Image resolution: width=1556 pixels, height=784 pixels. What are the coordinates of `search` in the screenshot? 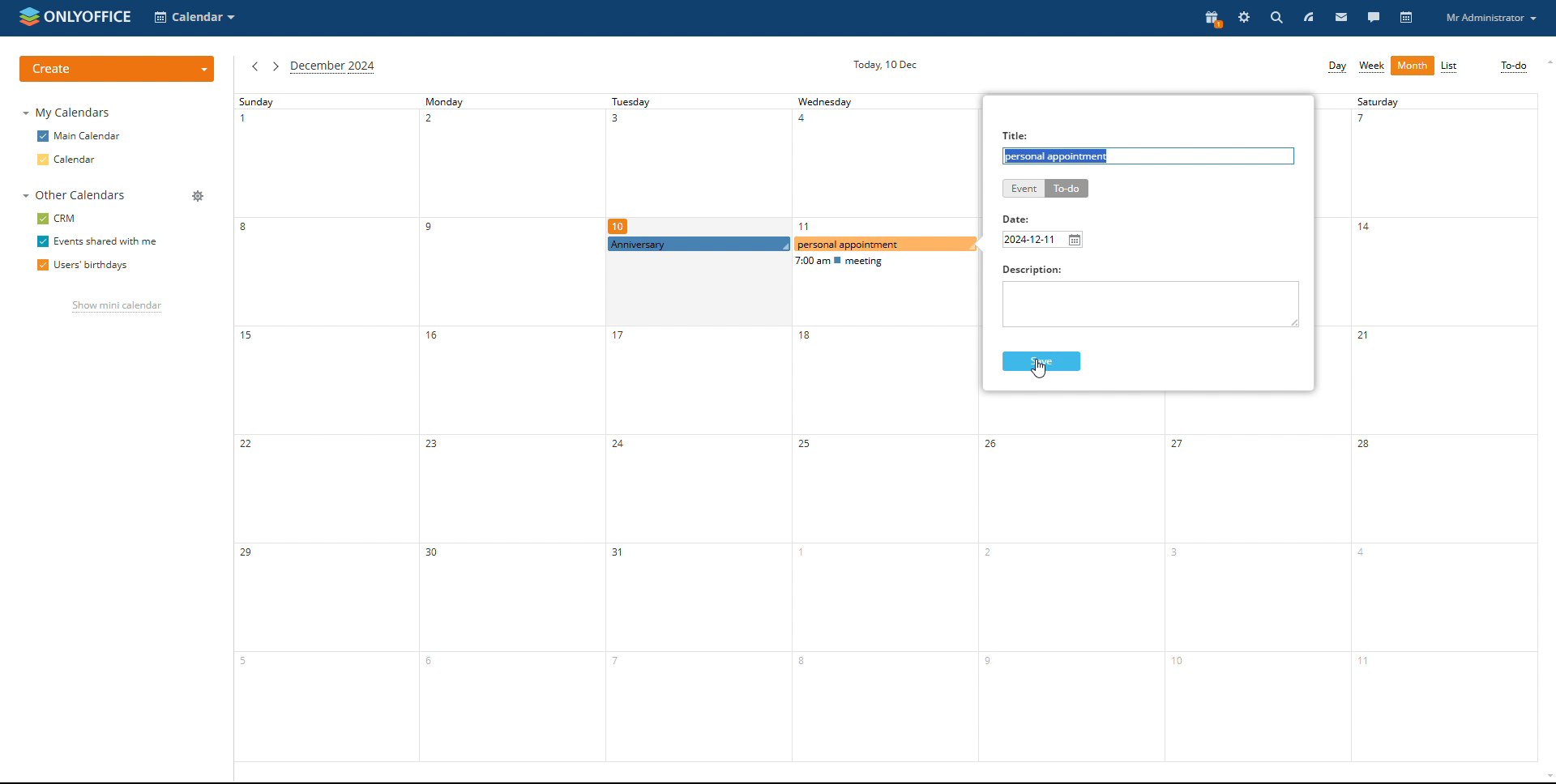 It's located at (1275, 18).